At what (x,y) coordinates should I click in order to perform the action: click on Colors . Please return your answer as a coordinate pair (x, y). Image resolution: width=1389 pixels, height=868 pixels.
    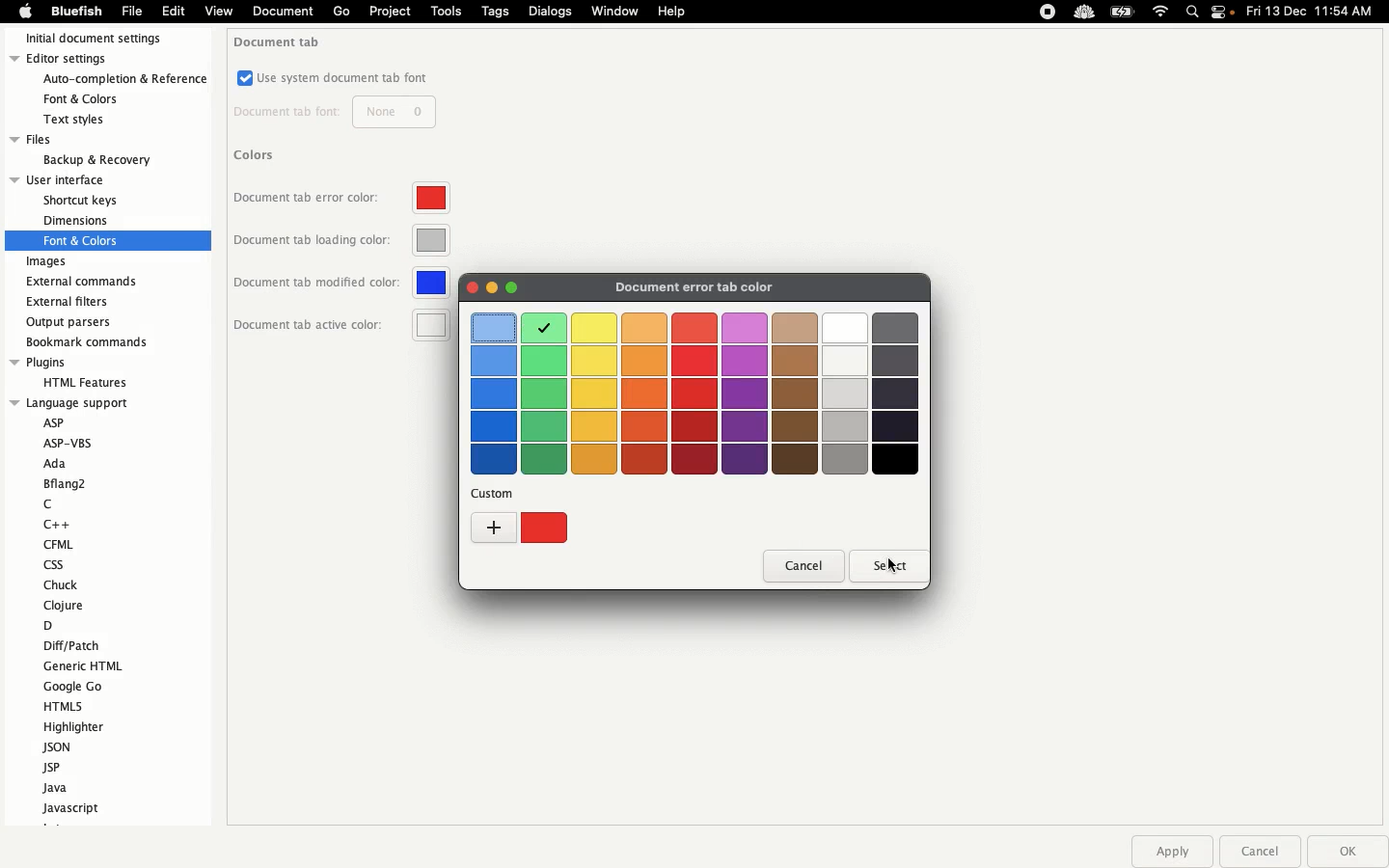
    Looking at the image, I should click on (257, 154).